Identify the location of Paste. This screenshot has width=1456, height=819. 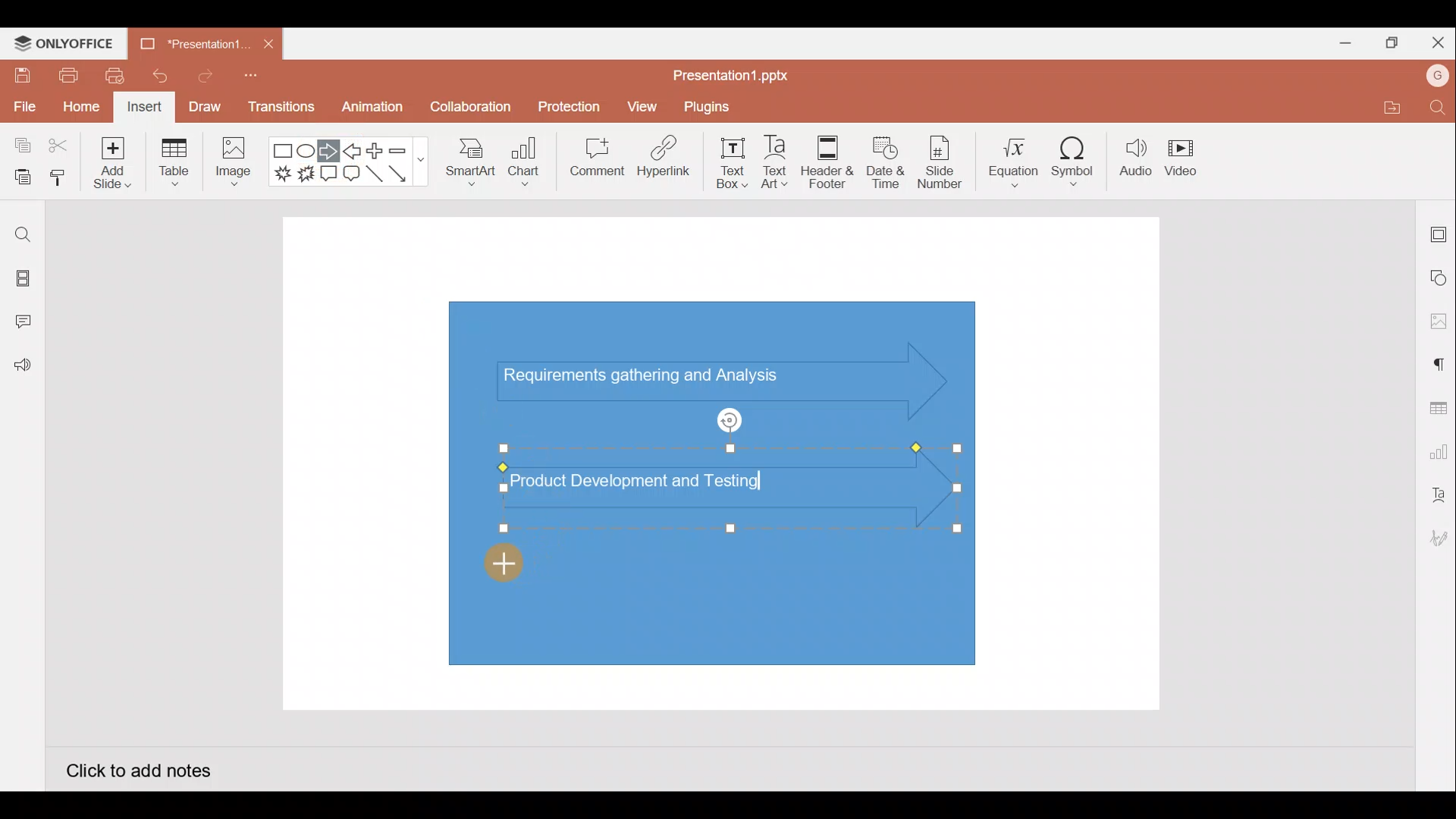
(19, 178).